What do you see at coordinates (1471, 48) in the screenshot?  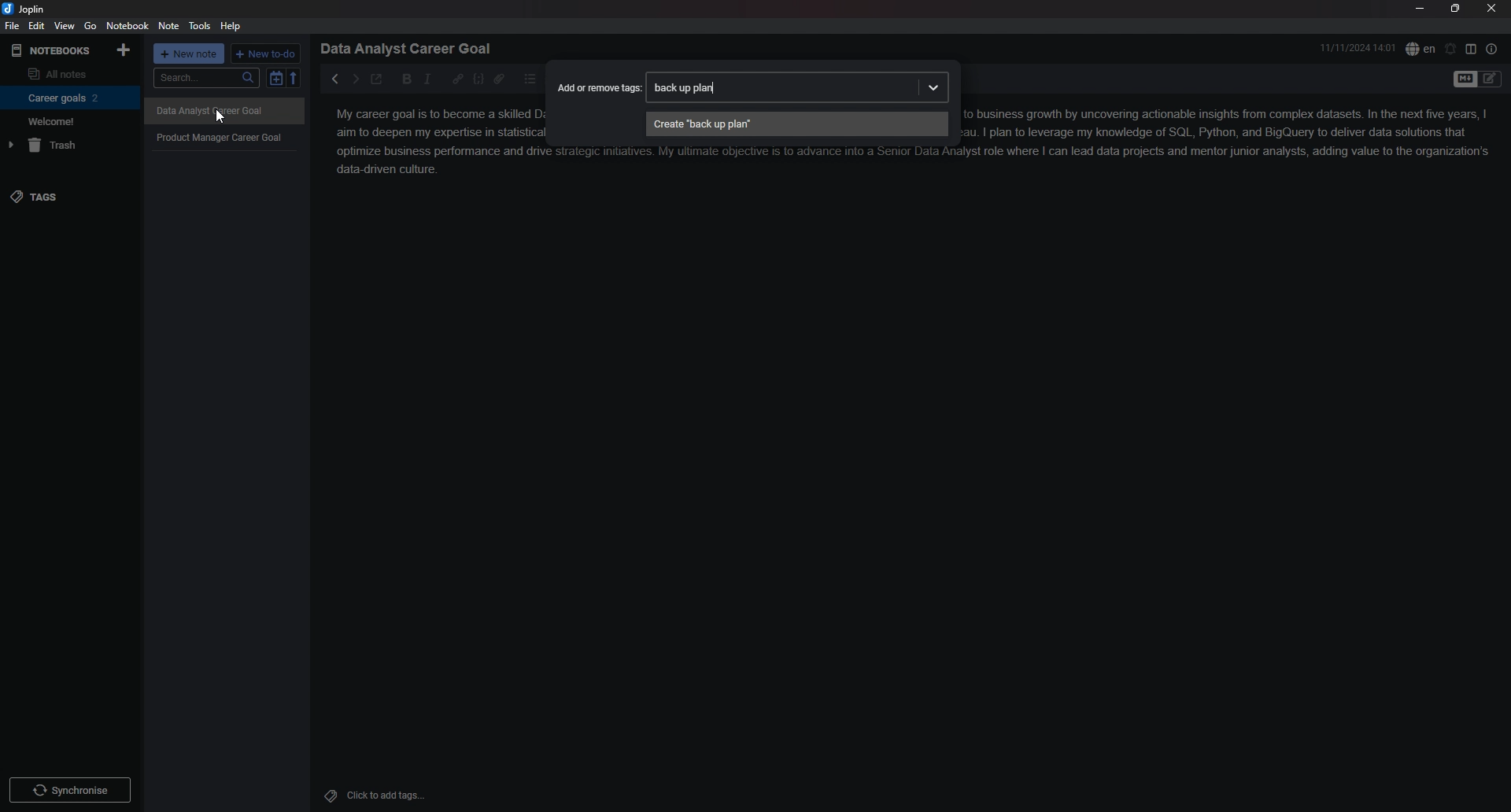 I see `toggle editor layout` at bounding box center [1471, 48].